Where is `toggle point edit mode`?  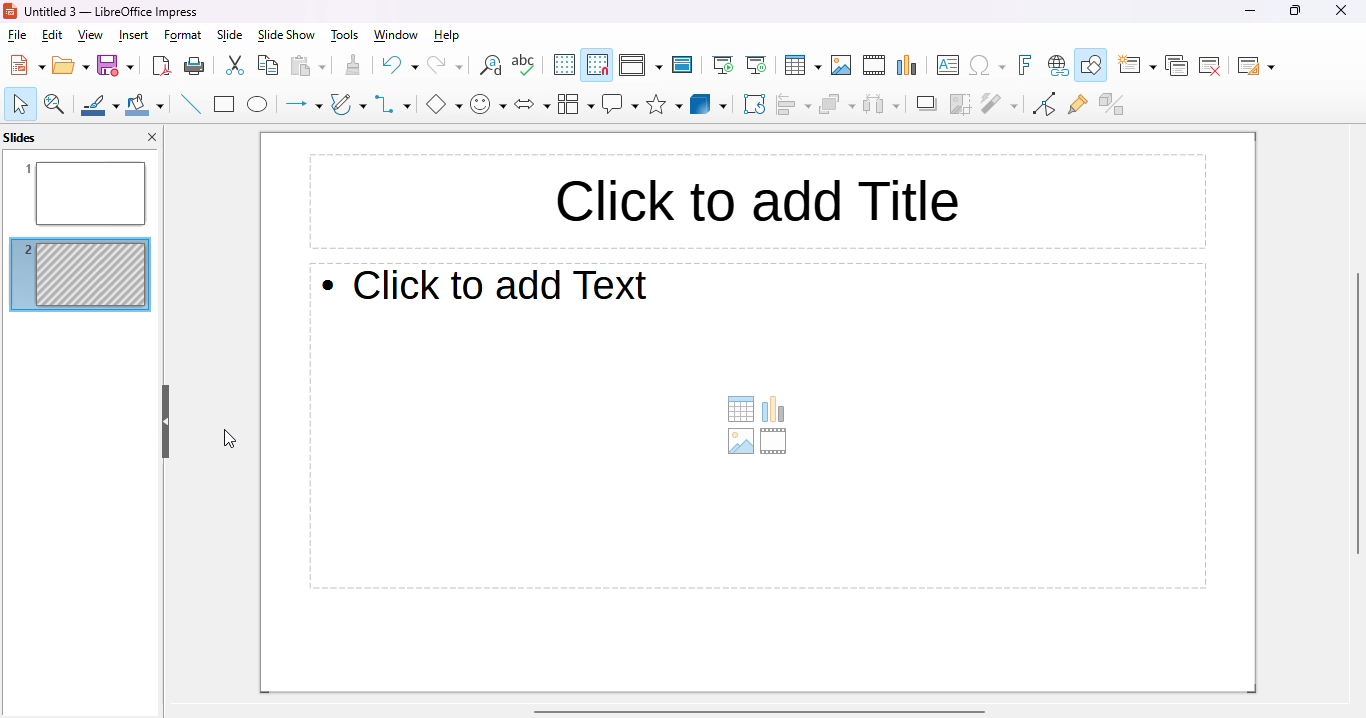
toggle point edit mode is located at coordinates (1046, 104).